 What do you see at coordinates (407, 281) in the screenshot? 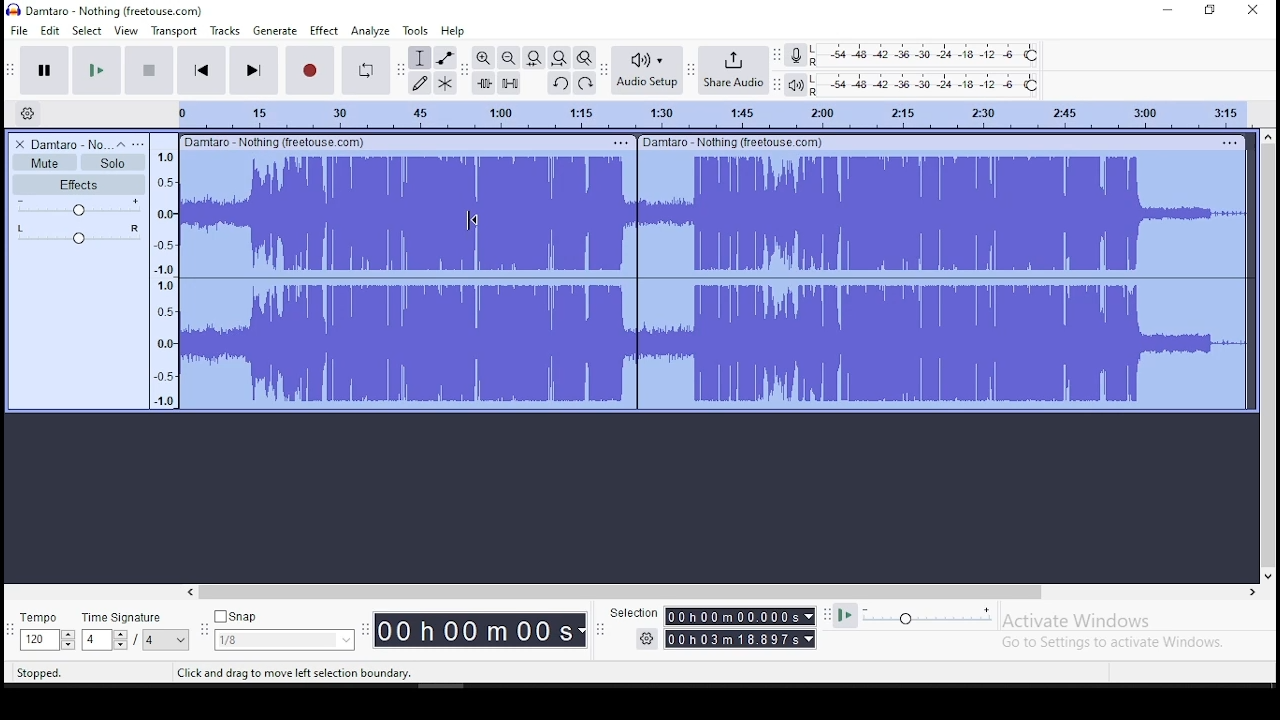
I see `audio clip` at bounding box center [407, 281].